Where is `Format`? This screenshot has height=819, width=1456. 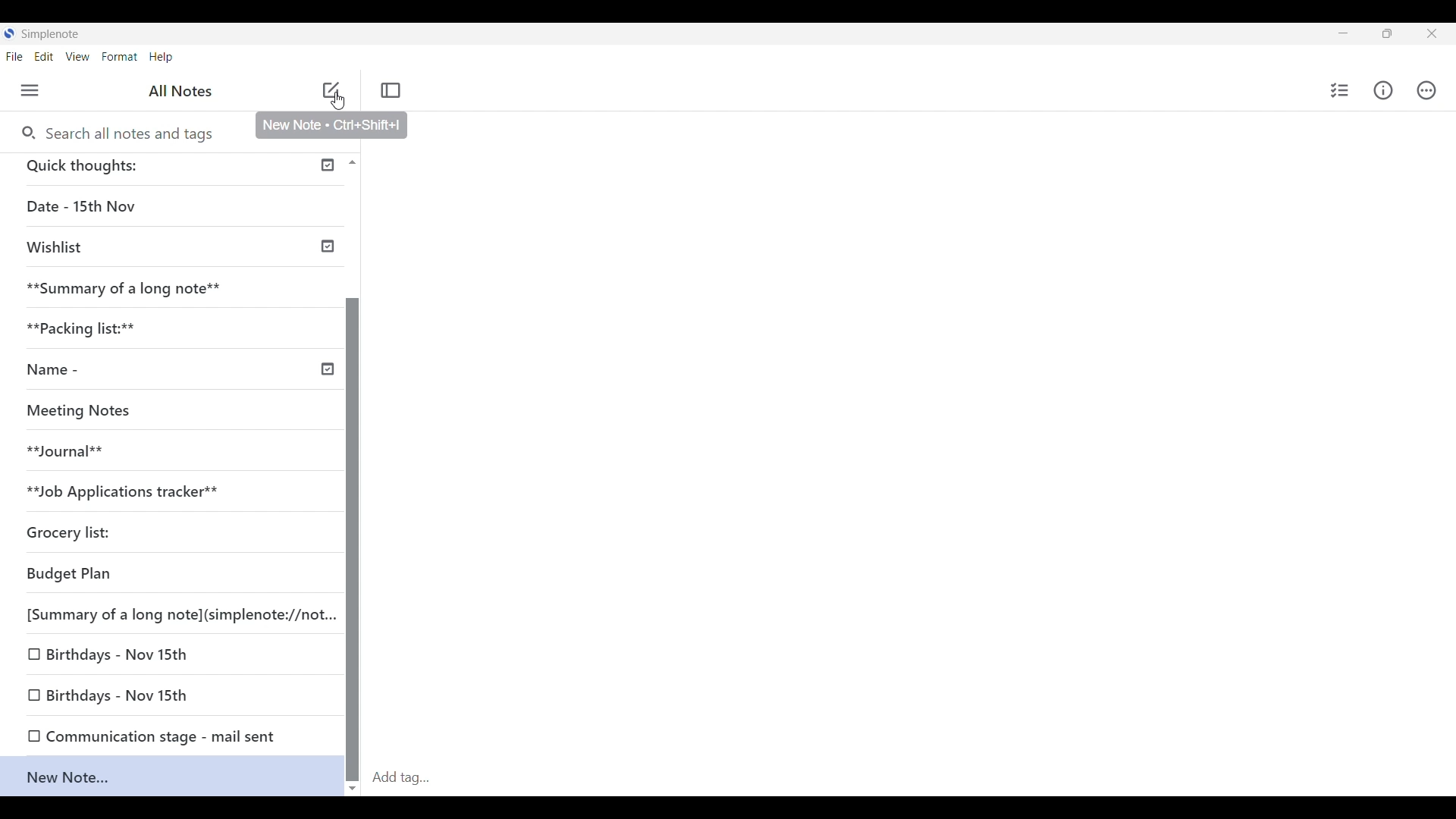 Format is located at coordinates (120, 57).